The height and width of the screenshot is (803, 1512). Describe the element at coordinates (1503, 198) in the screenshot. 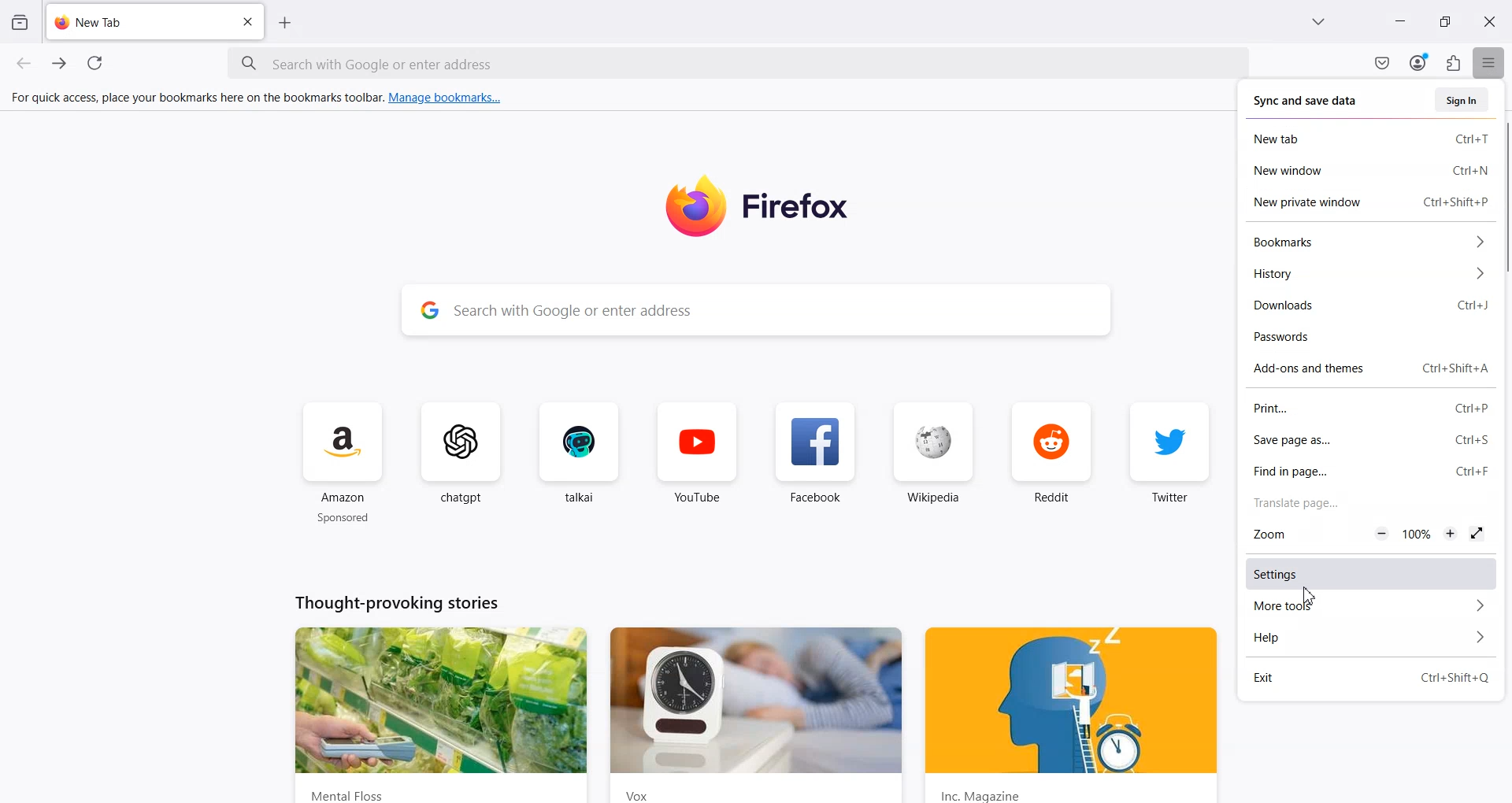

I see `Vertical scroll bar` at that location.